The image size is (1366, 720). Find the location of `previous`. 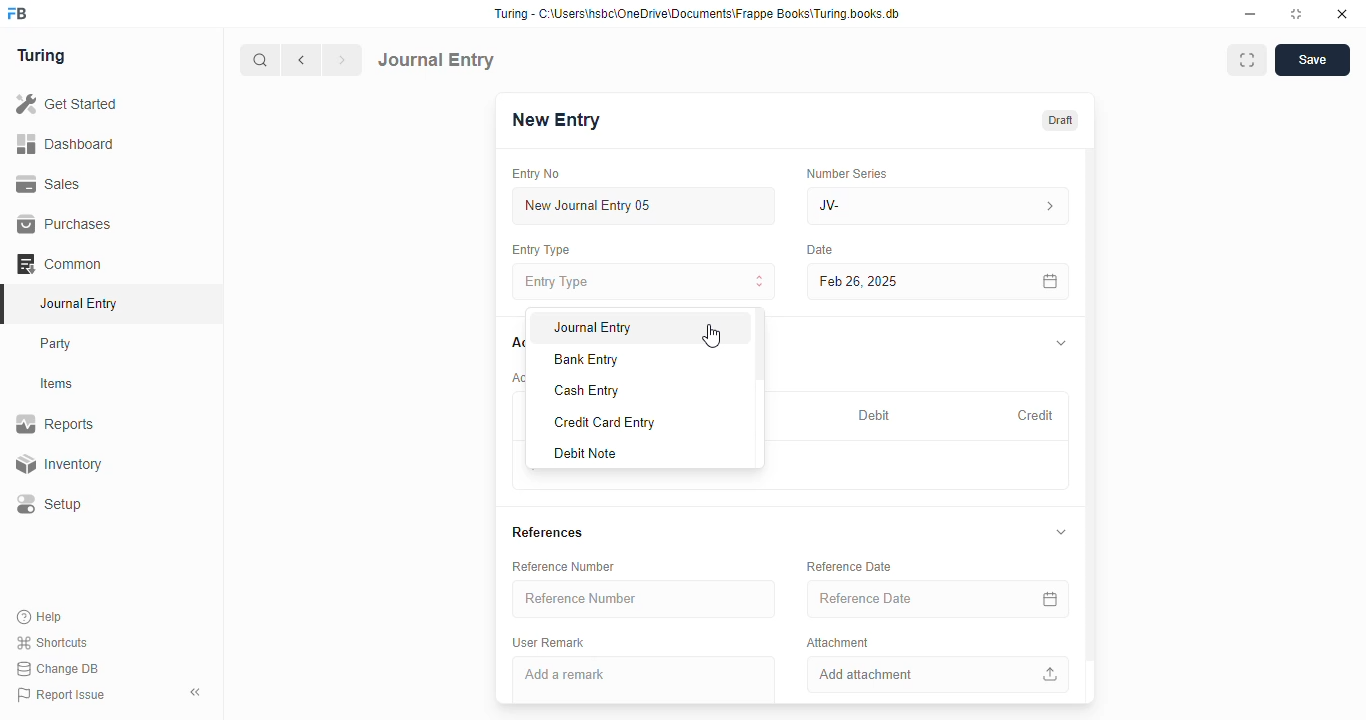

previous is located at coordinates (303, 60).